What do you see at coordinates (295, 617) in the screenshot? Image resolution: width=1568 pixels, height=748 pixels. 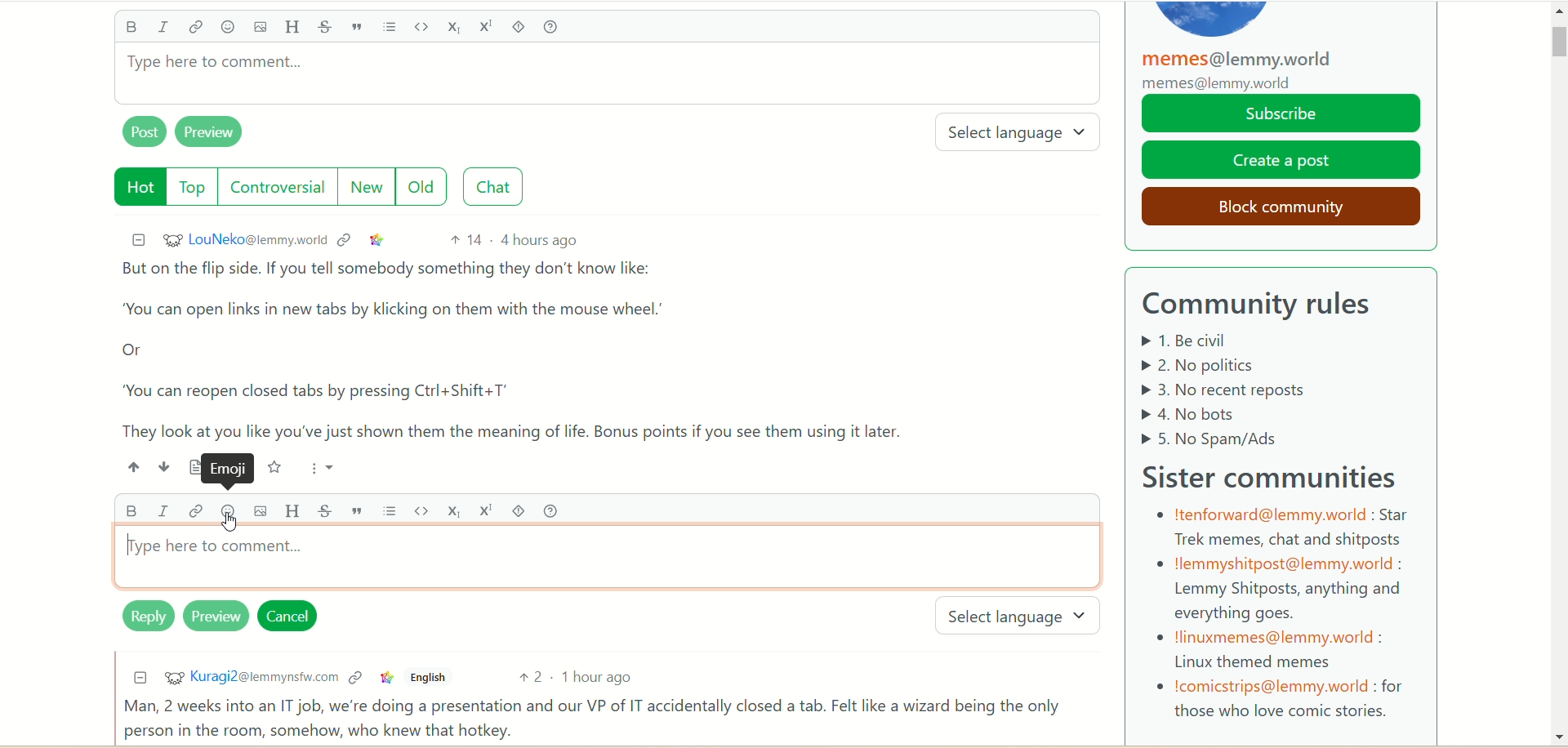 I see `cancel` at bounding box center [295, 617].